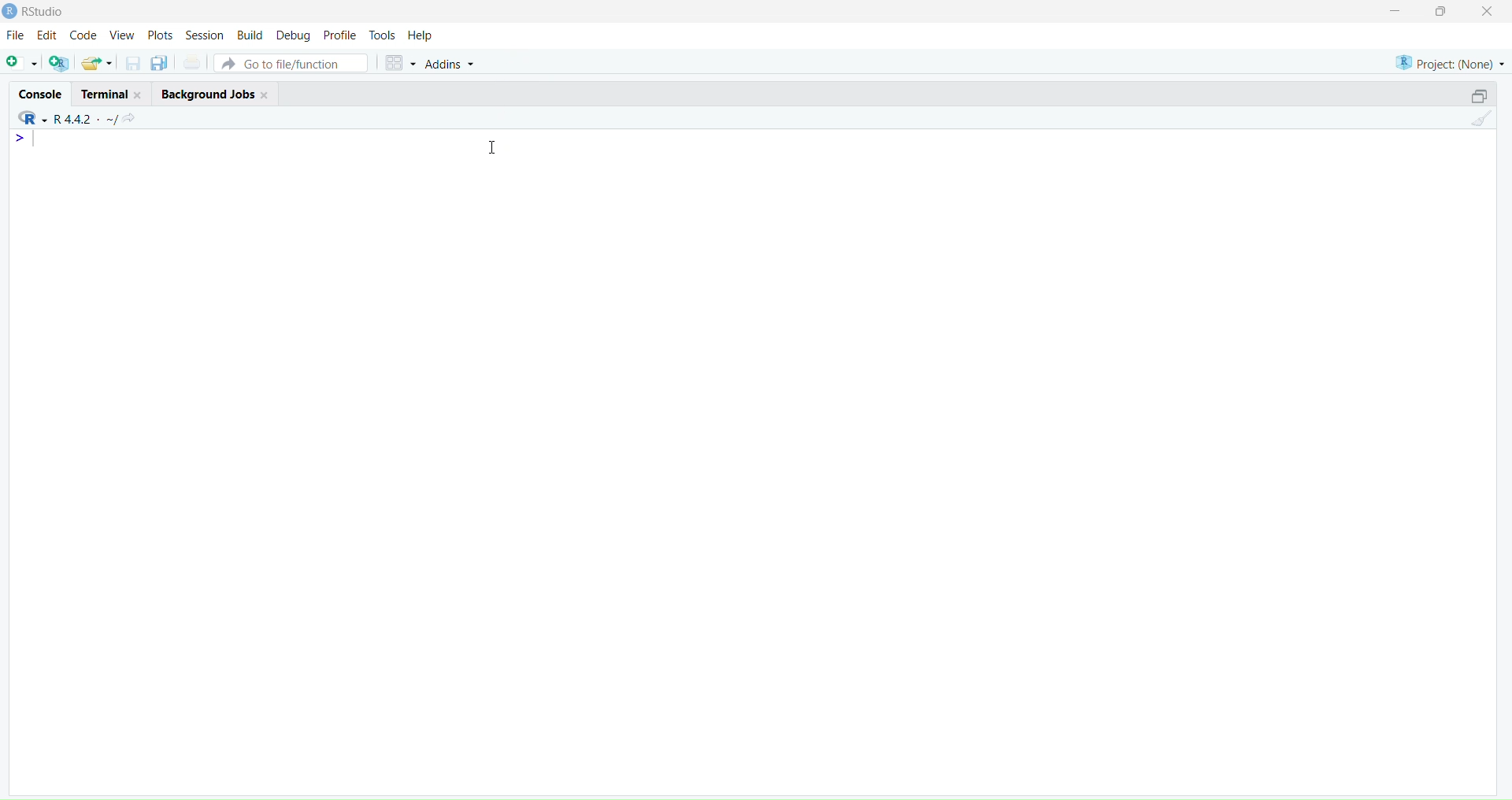 The image size is (1512, 800). What do you see at coordinates (291, 64) in the screenshot?
I see `go to file/function` at bounding box center [291, 64].